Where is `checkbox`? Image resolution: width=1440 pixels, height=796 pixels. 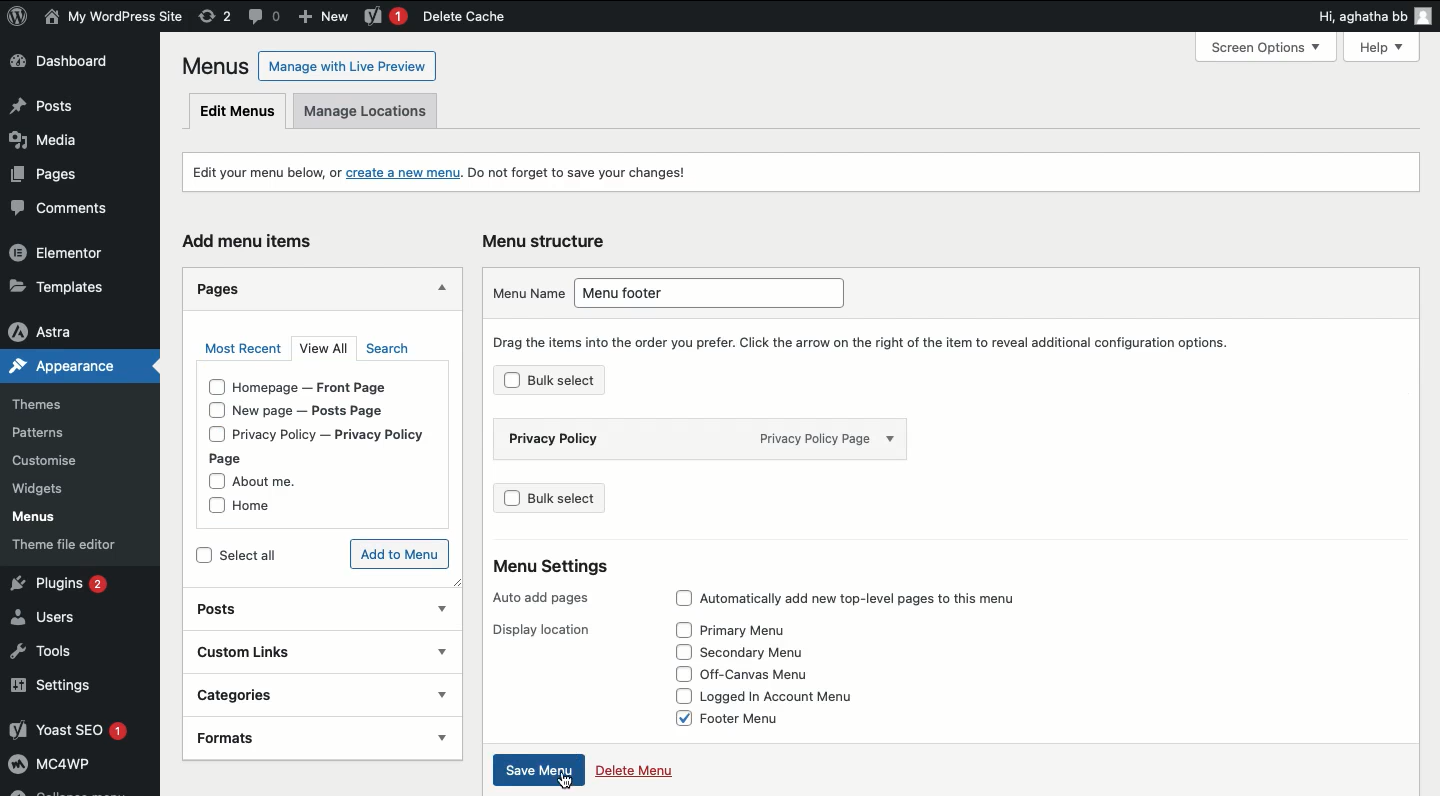
checkbox is located at coordinates (202, 556).